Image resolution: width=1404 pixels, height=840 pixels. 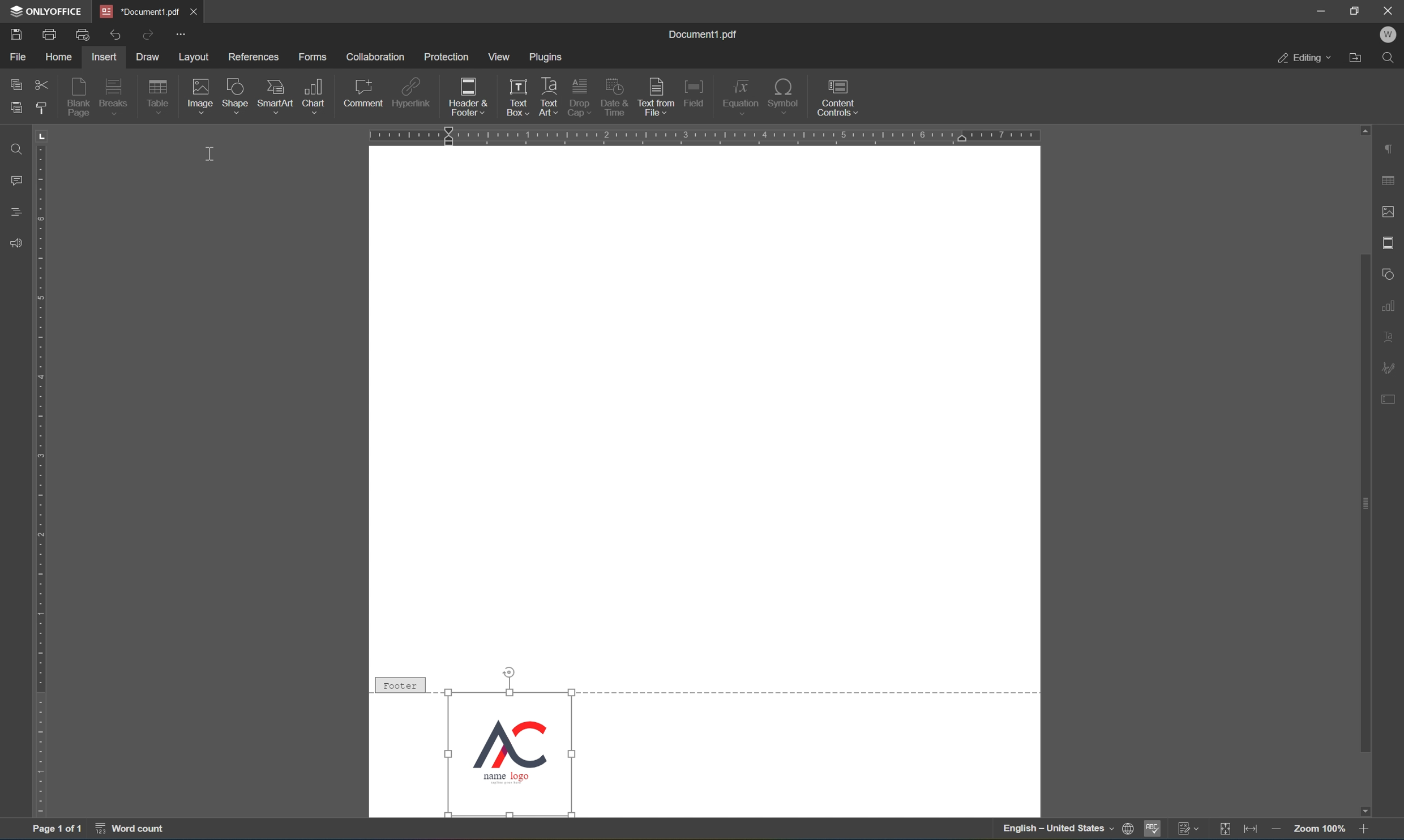 What do you see at coordinates (528, 110) in the screenshot?
I see `edit header or footer` at bounding box center [528, 110].